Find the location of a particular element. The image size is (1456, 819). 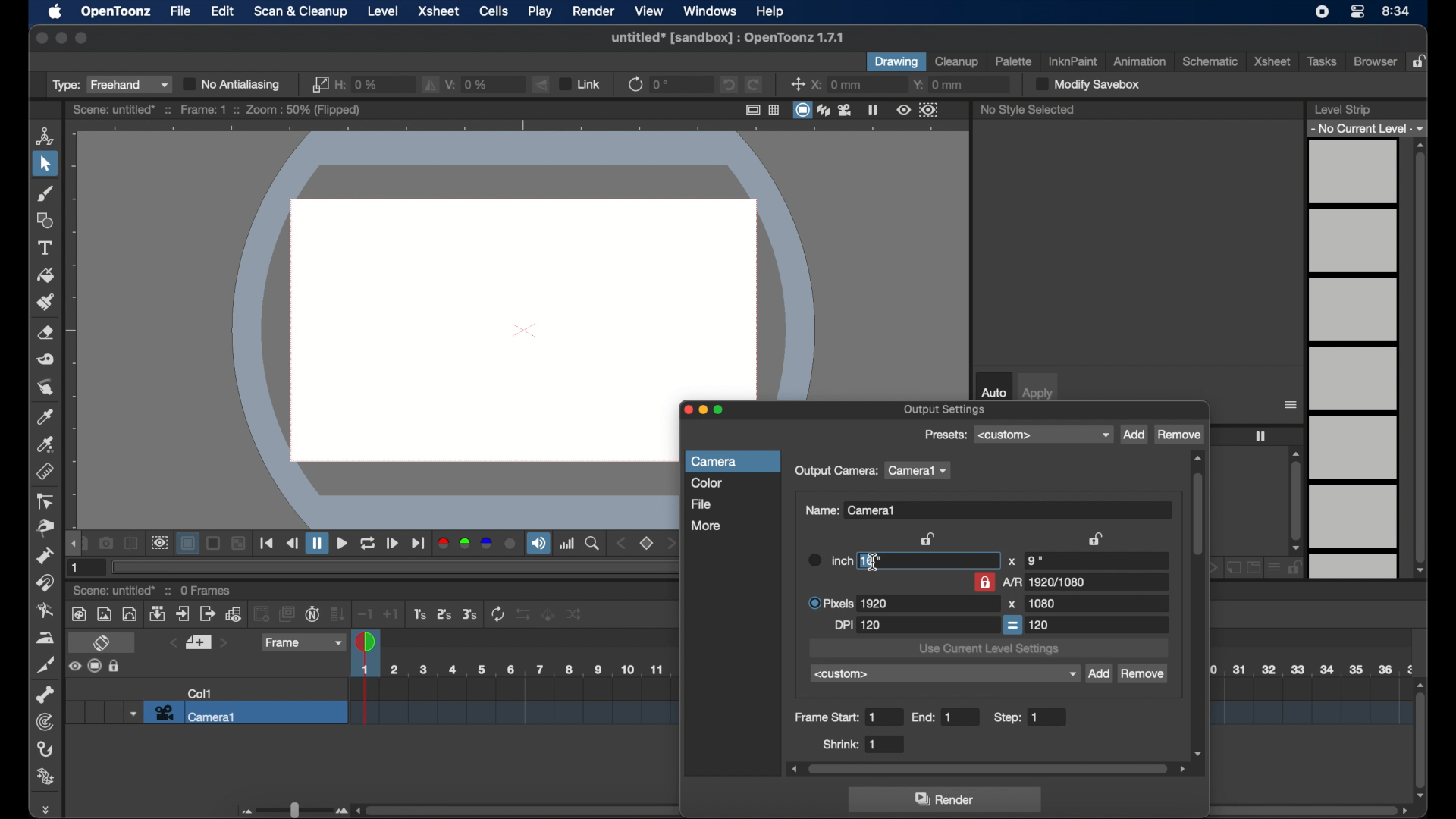

 is located at coordinates (207, 613).